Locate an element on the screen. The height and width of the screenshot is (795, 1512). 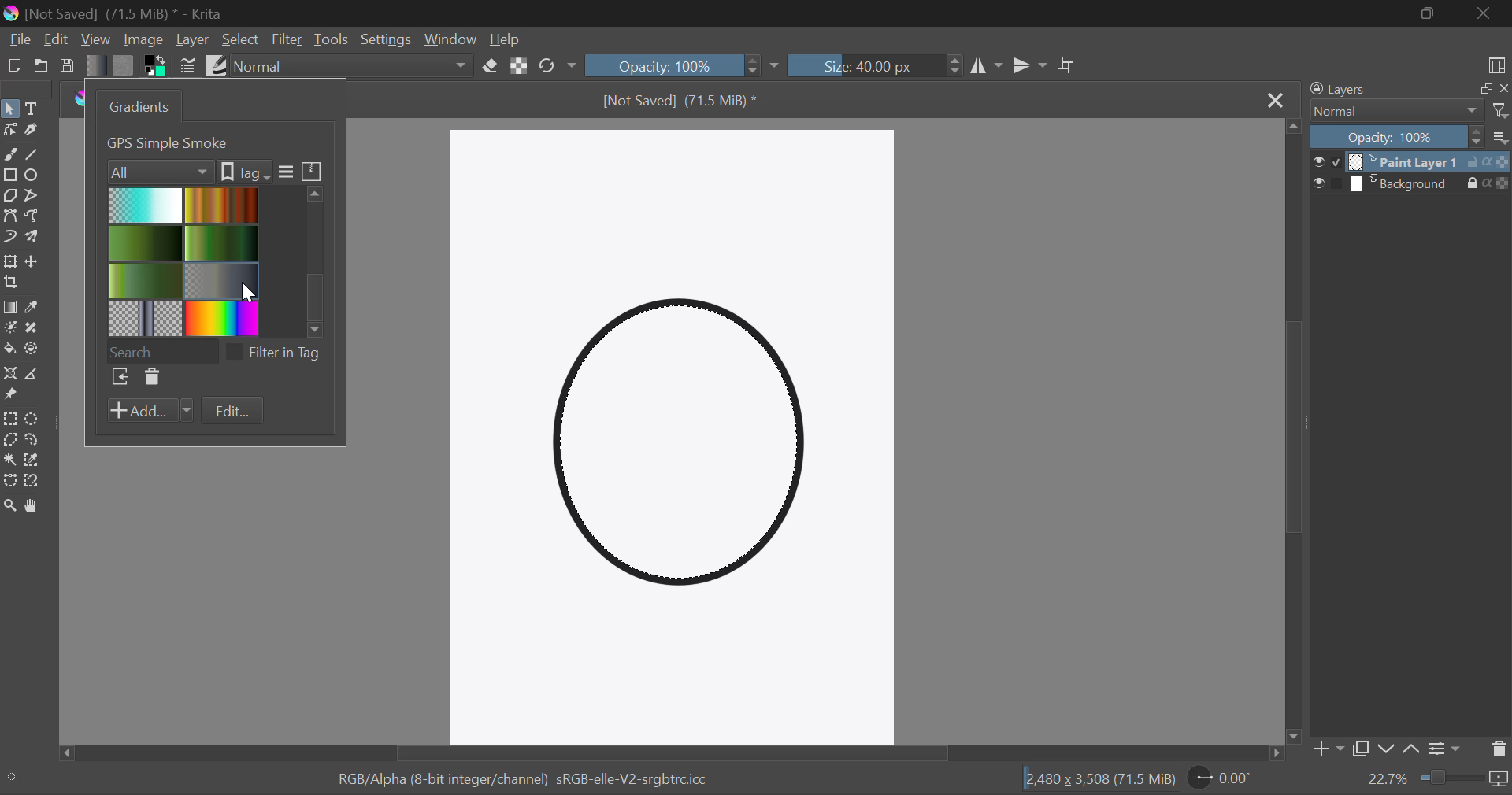
layer 2 is located at coordinates (1405, 184).